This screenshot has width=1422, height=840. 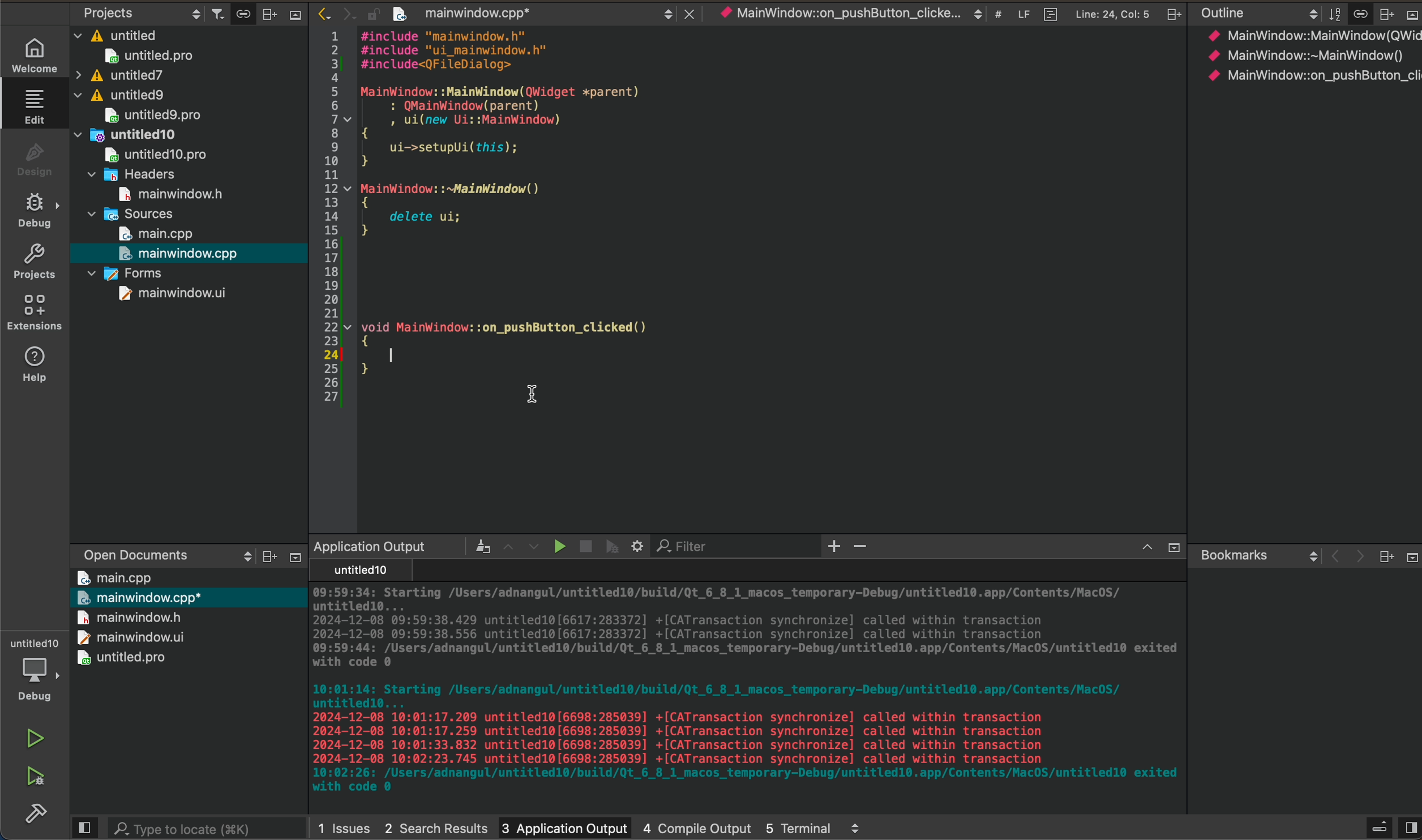 What do you see at coordinates (152, 153) in the screenshot?
I see `untitled10.oro` at bounding box center [152, 153].